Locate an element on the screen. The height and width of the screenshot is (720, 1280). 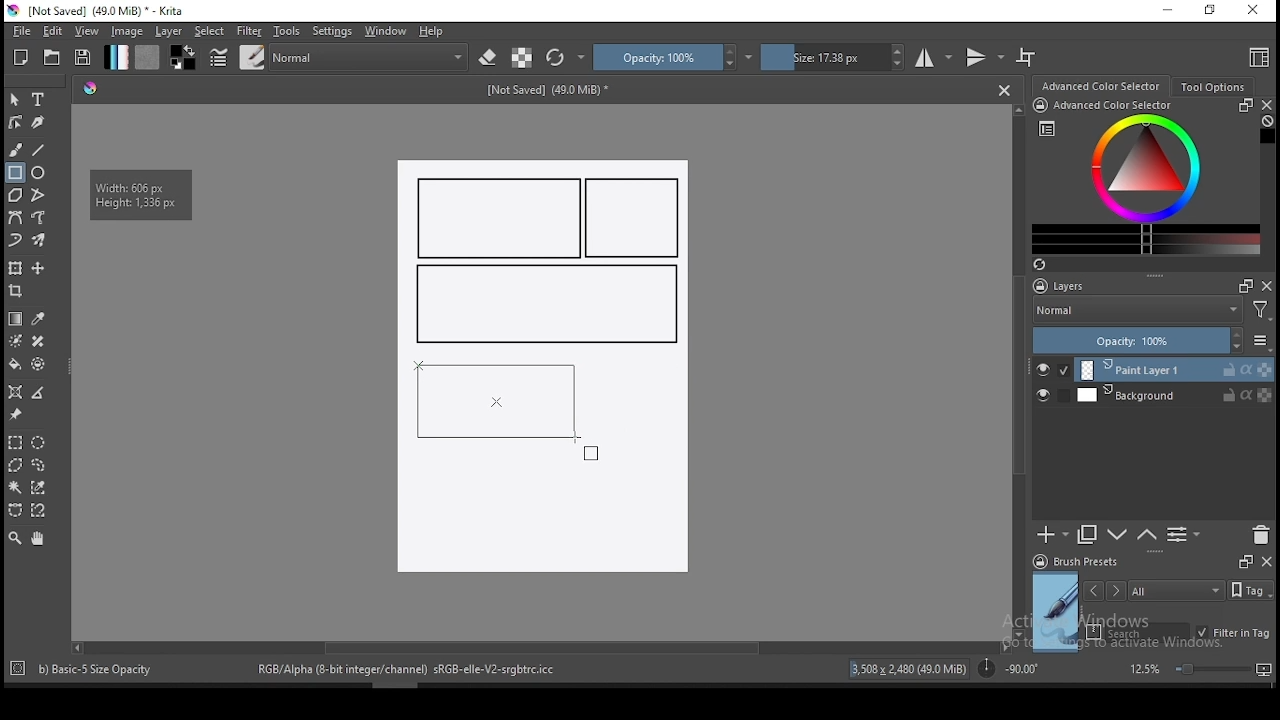
move a layer is located at coordinates (38, 269).